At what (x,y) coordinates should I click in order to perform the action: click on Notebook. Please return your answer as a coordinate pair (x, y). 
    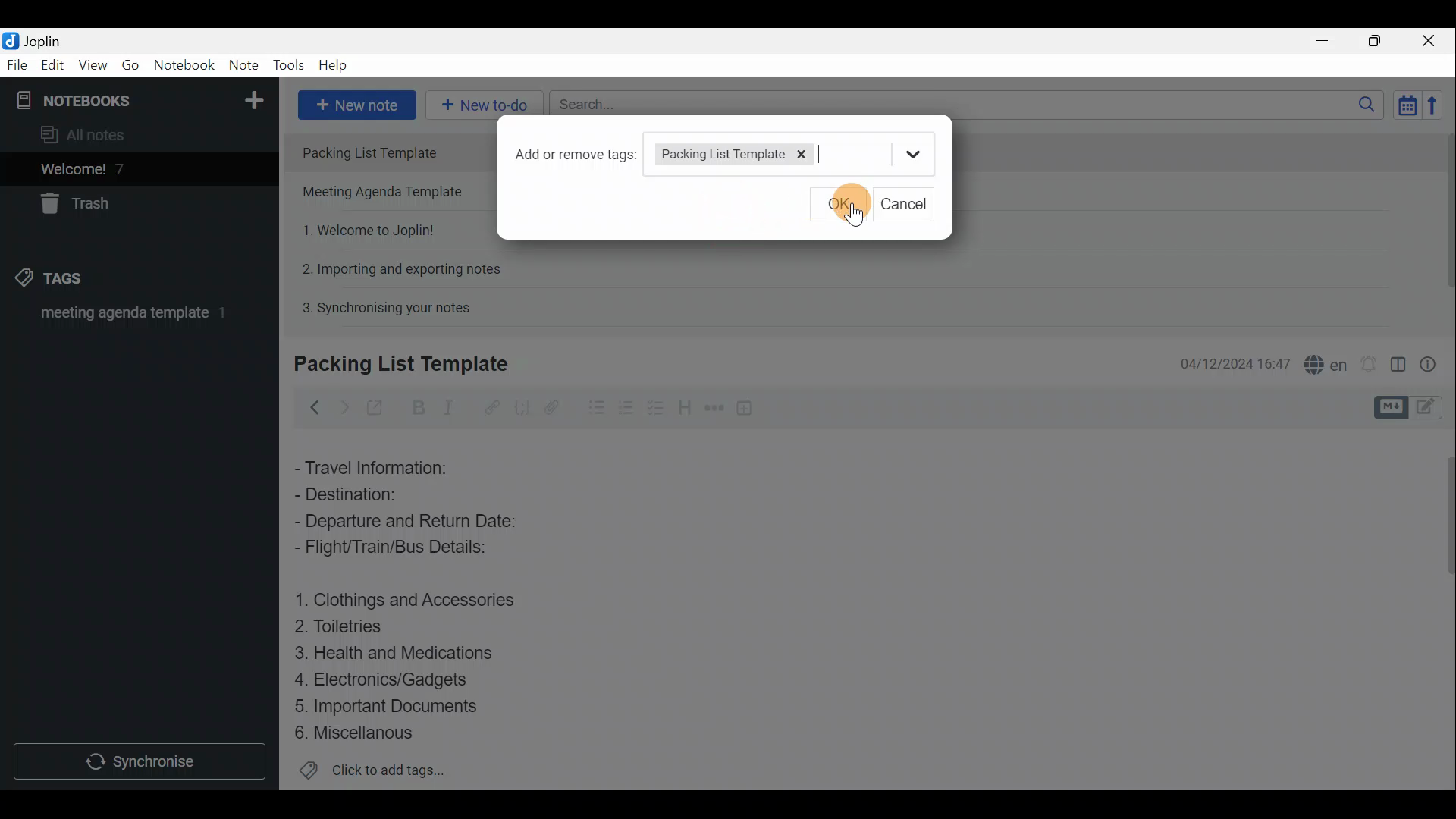
    Looking at the image, I should click on (137, 99).